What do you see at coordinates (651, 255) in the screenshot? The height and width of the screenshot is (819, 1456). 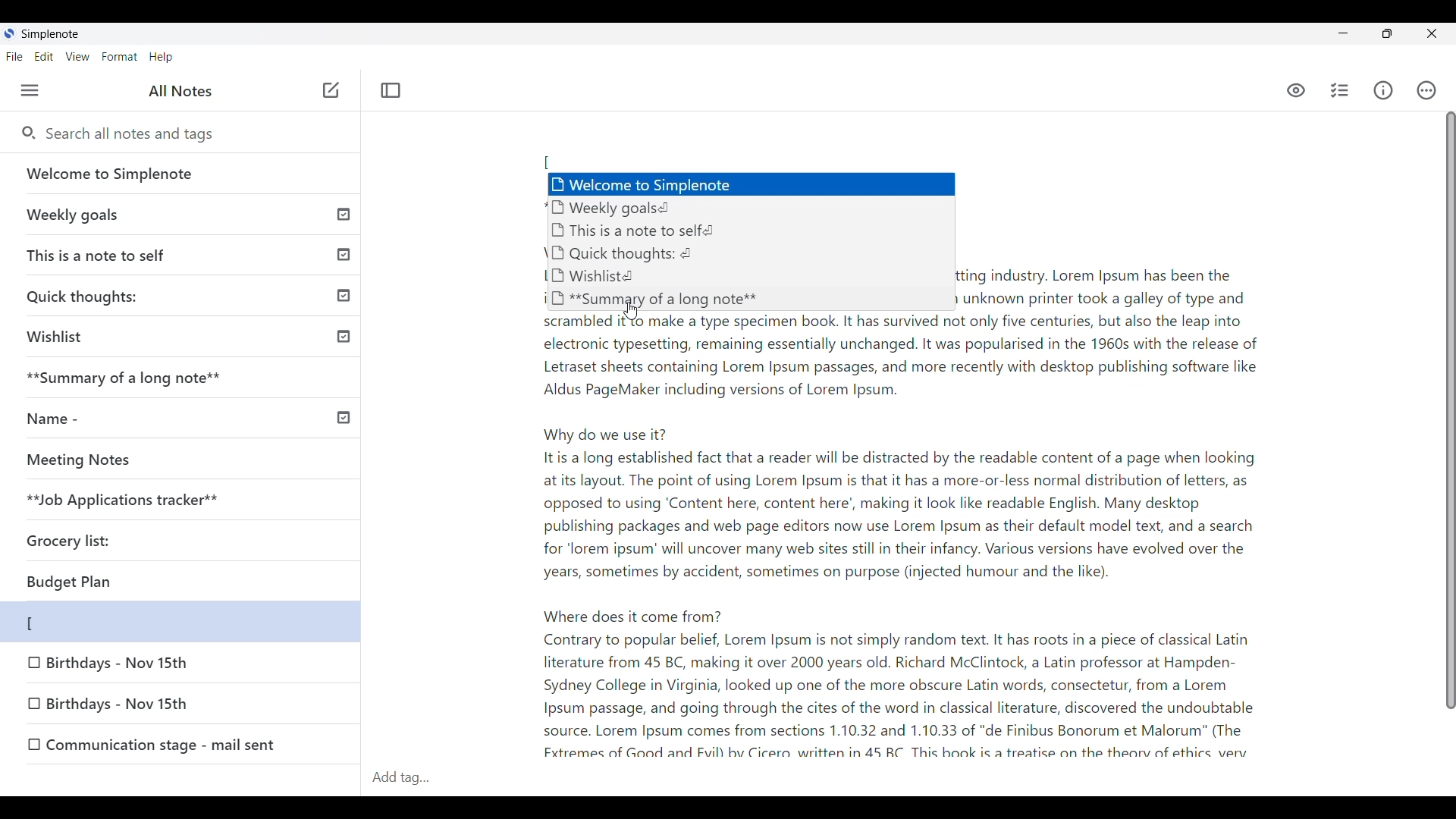 I see `Quick thoughts` at bounding box center [651, 255].